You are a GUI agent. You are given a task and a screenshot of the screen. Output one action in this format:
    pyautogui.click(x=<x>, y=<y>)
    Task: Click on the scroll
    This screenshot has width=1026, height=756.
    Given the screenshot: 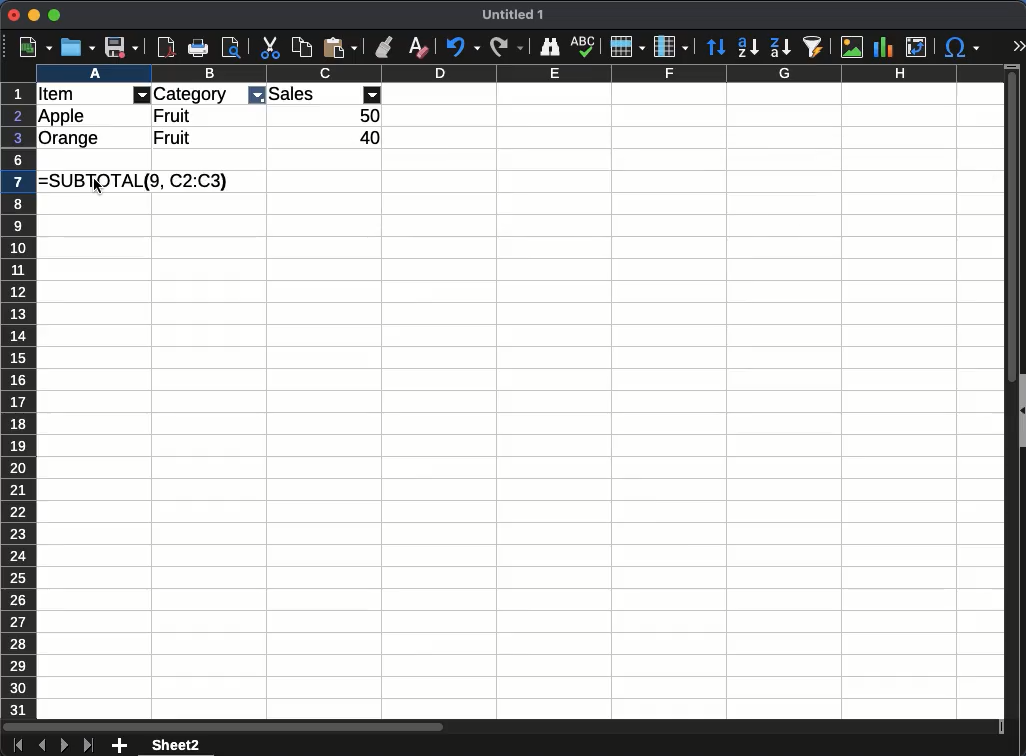 What is the action you would take?
    pyautogui.click(x=1008, y=402)
    